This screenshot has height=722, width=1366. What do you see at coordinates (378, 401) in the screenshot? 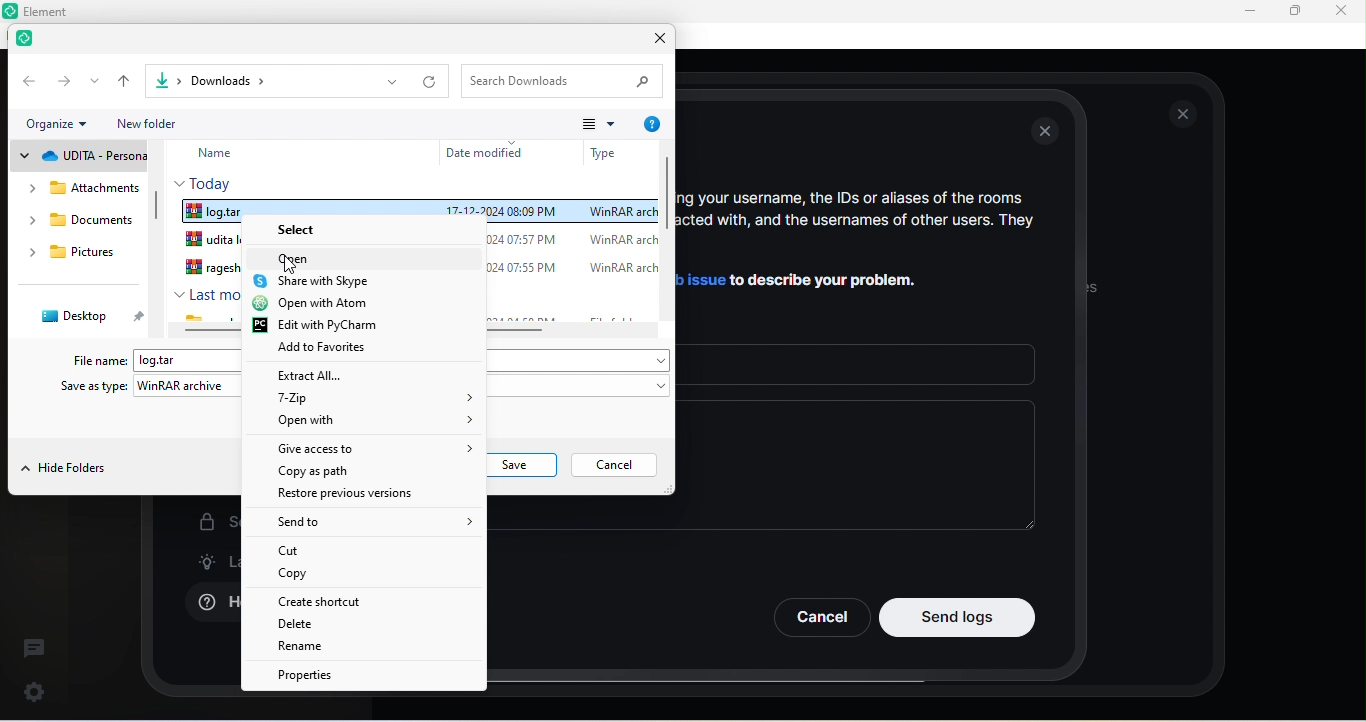
I see `7zip` at bounding box center [378, 401].